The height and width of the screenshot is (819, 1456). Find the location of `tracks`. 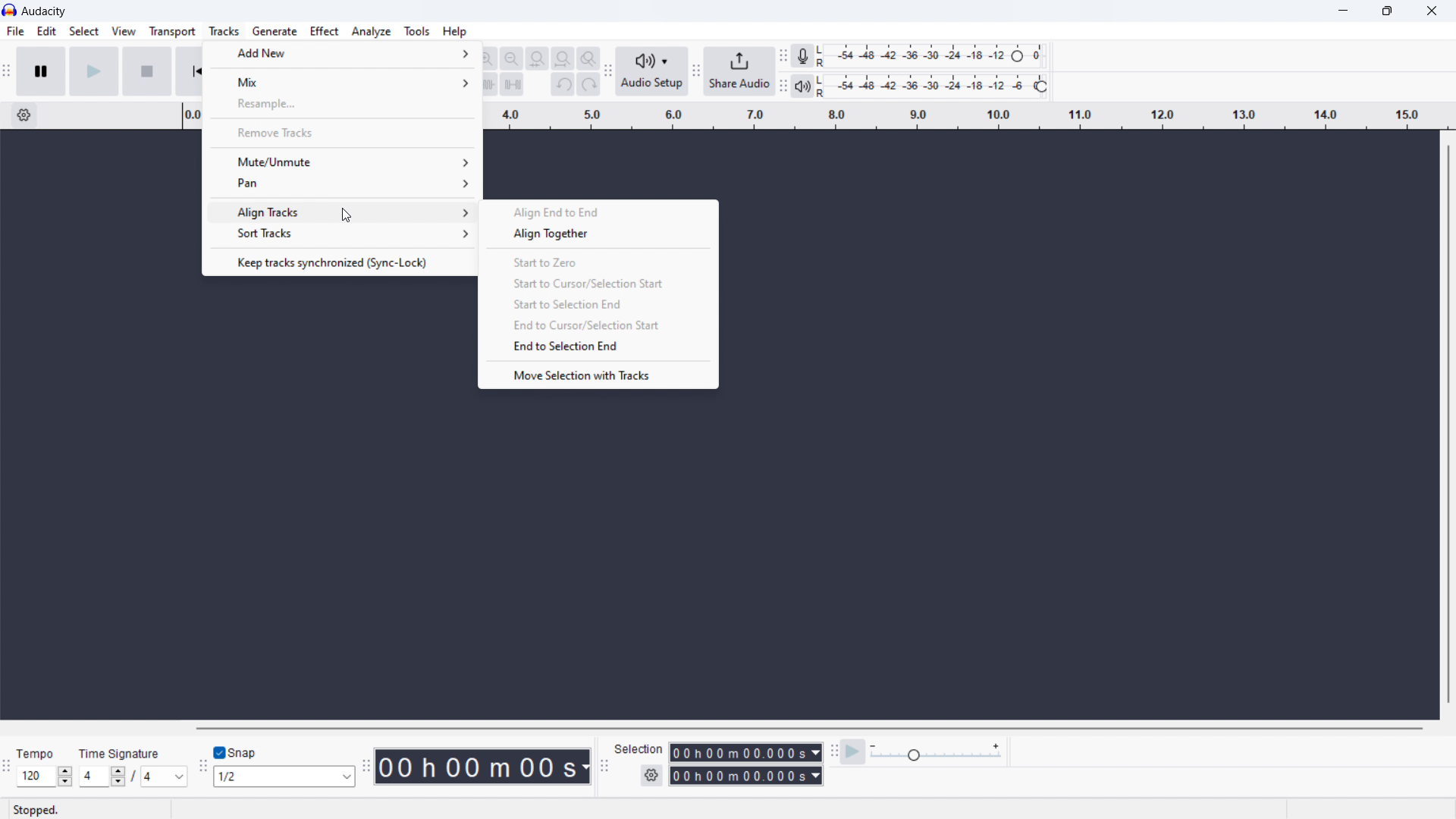

tracks is located at coordinates (224, 31).